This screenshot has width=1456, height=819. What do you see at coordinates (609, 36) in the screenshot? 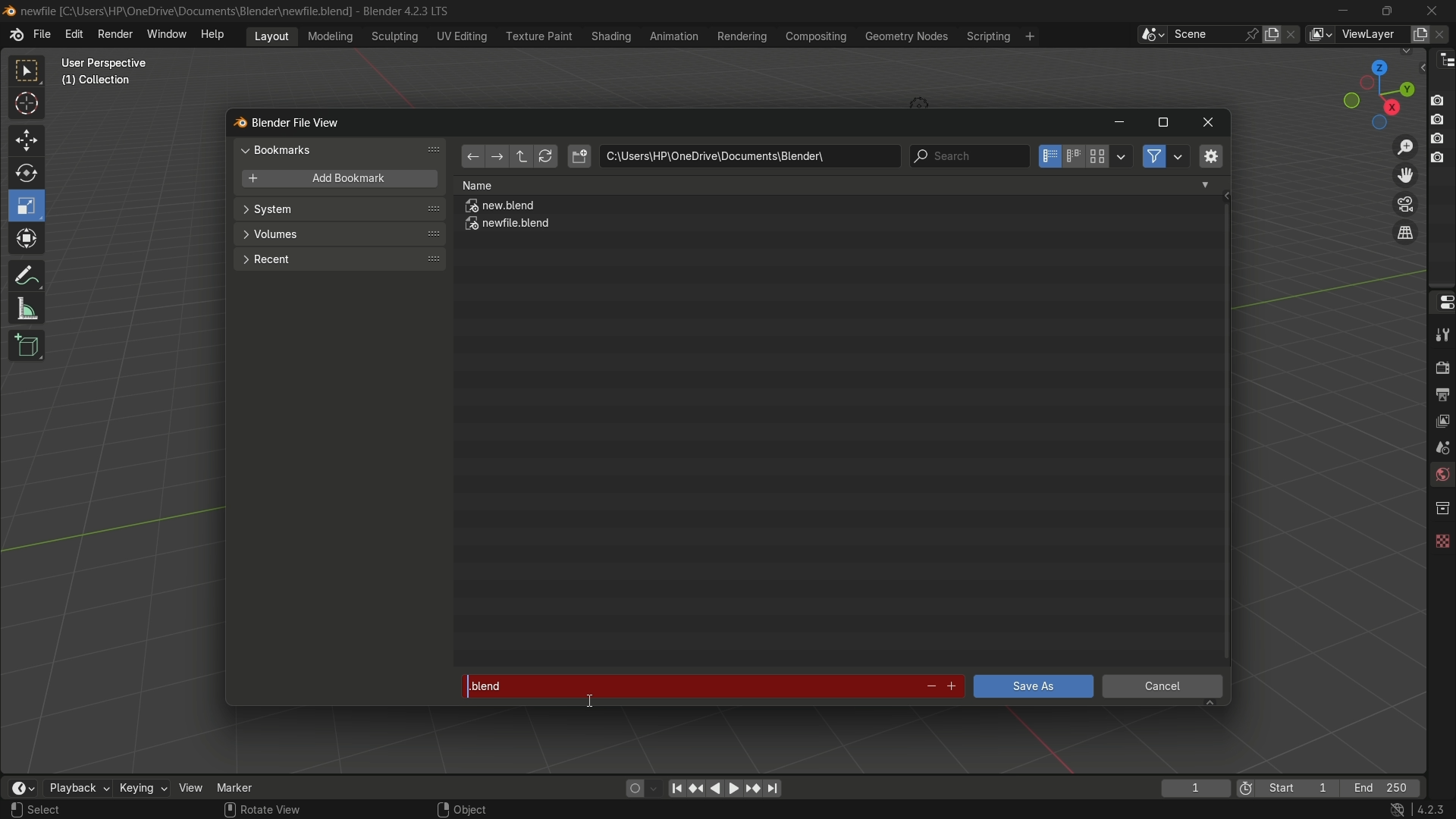
I see `shading menu` at bounding box center [609, 36].